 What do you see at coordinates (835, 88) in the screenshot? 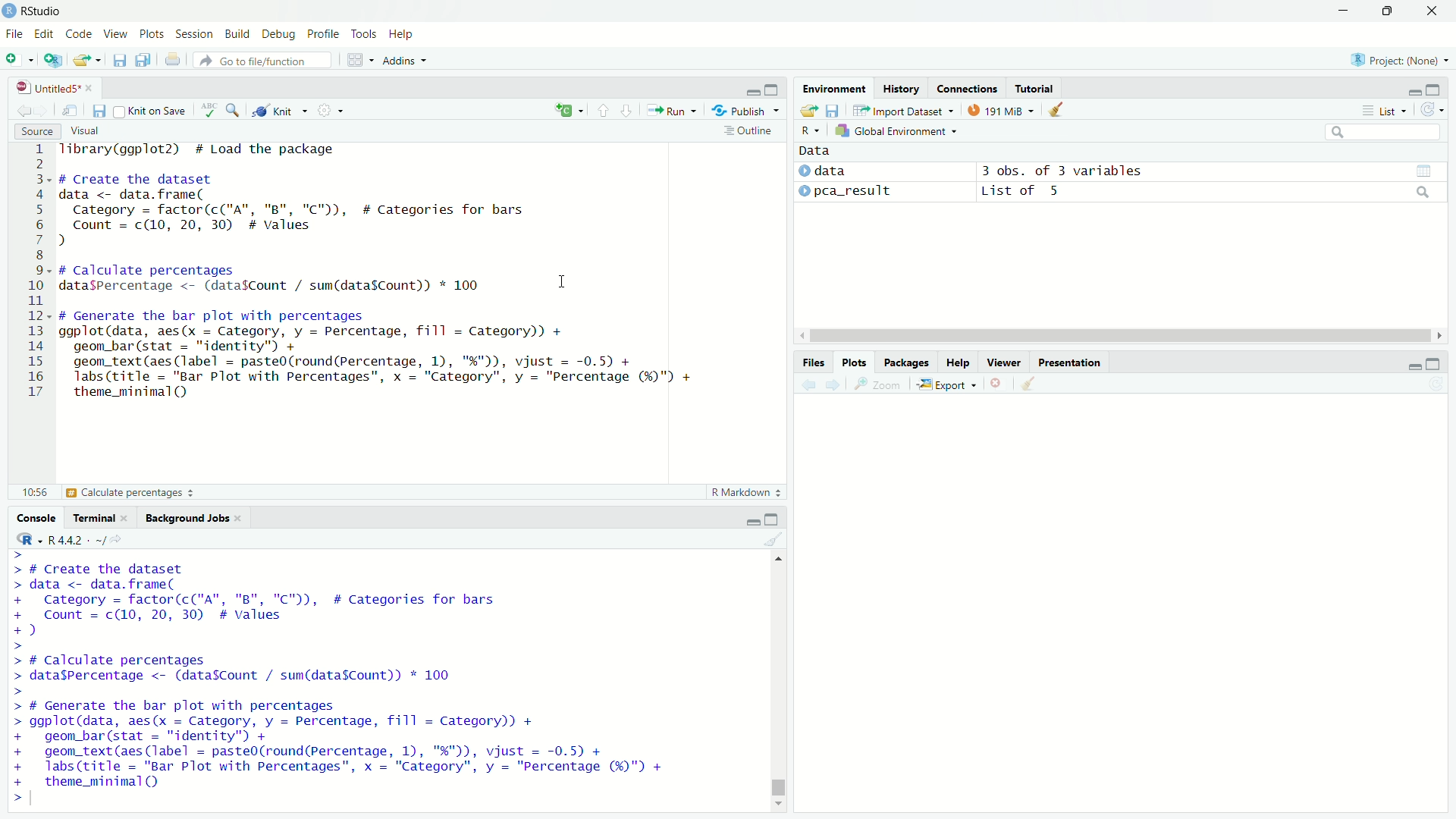
I see `environment` at bounding box center [835, 88].